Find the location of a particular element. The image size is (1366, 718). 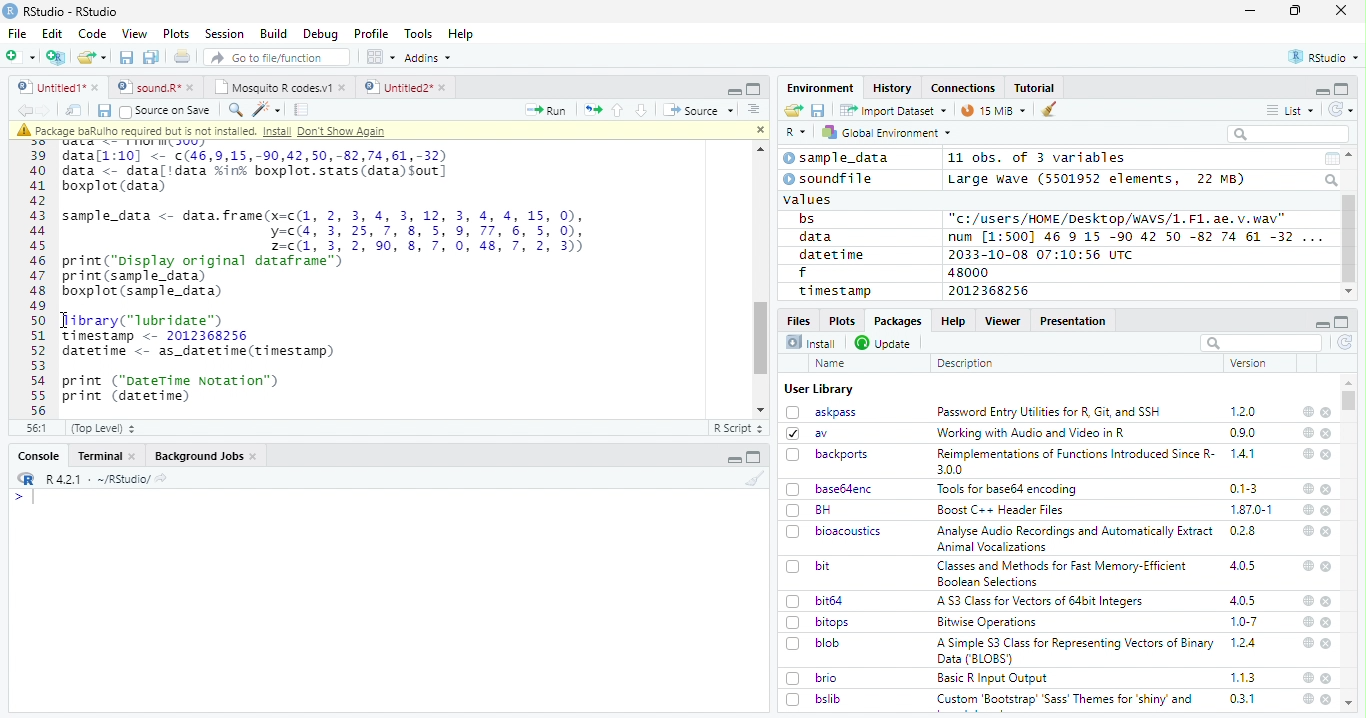

Global Environment is located at coordinates (888, 131).